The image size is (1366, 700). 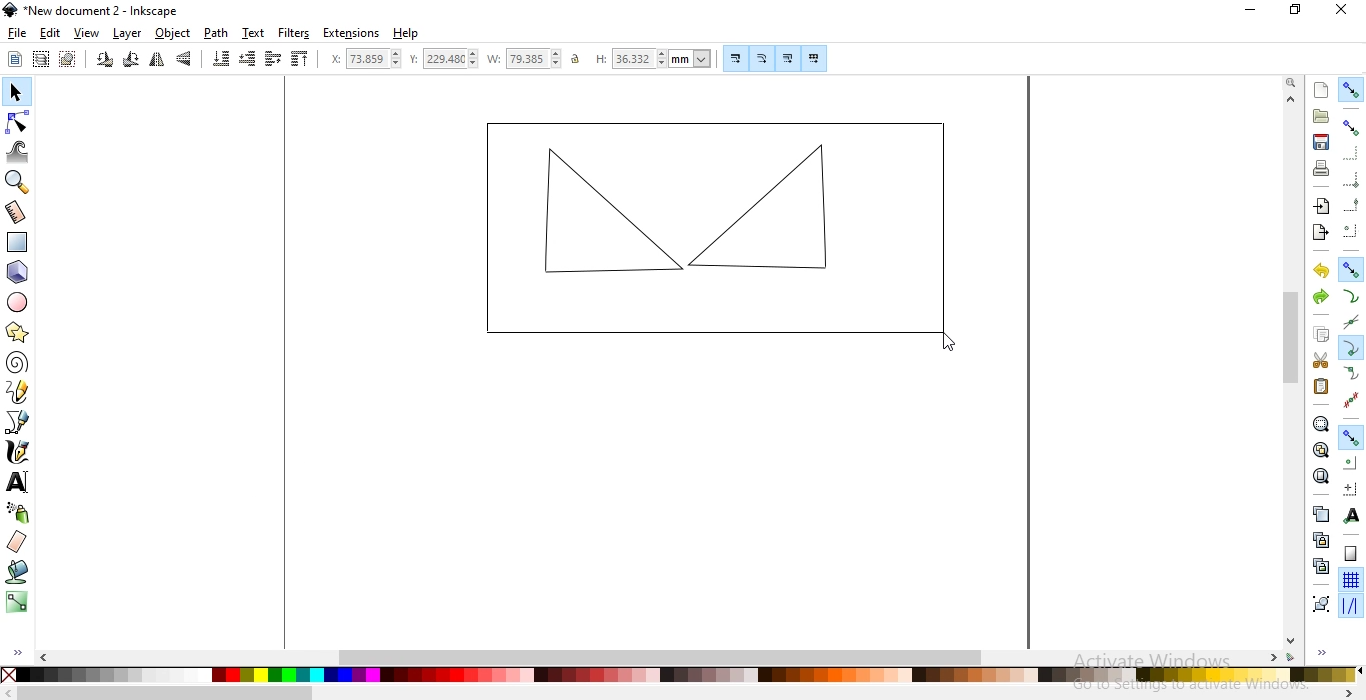 I want to click on cut selection to clipboard, so click(x=1319, y=359).